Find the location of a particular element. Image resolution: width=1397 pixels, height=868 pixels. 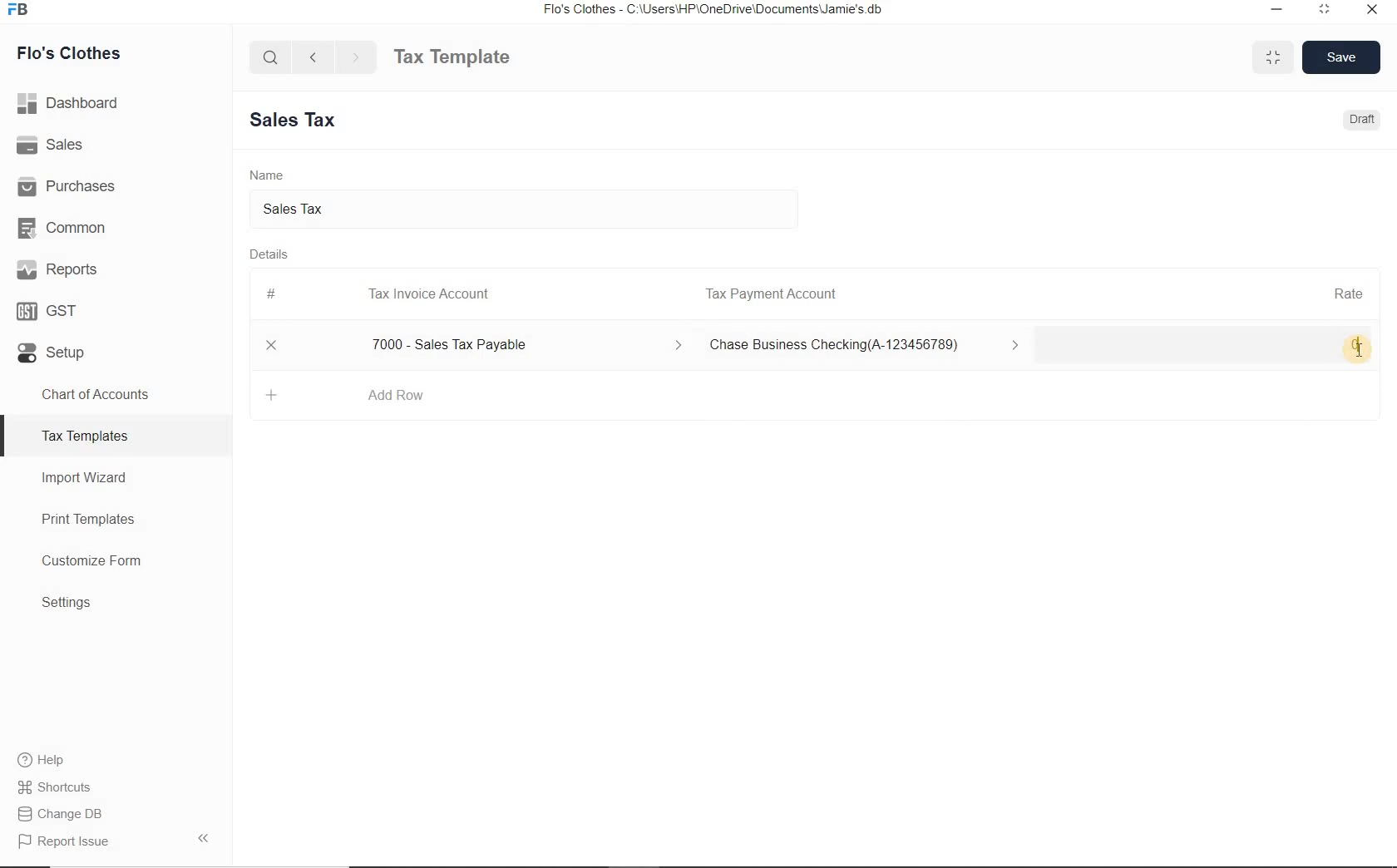

7000 - Sales Tax Payable is located at coordinates (522, 345).